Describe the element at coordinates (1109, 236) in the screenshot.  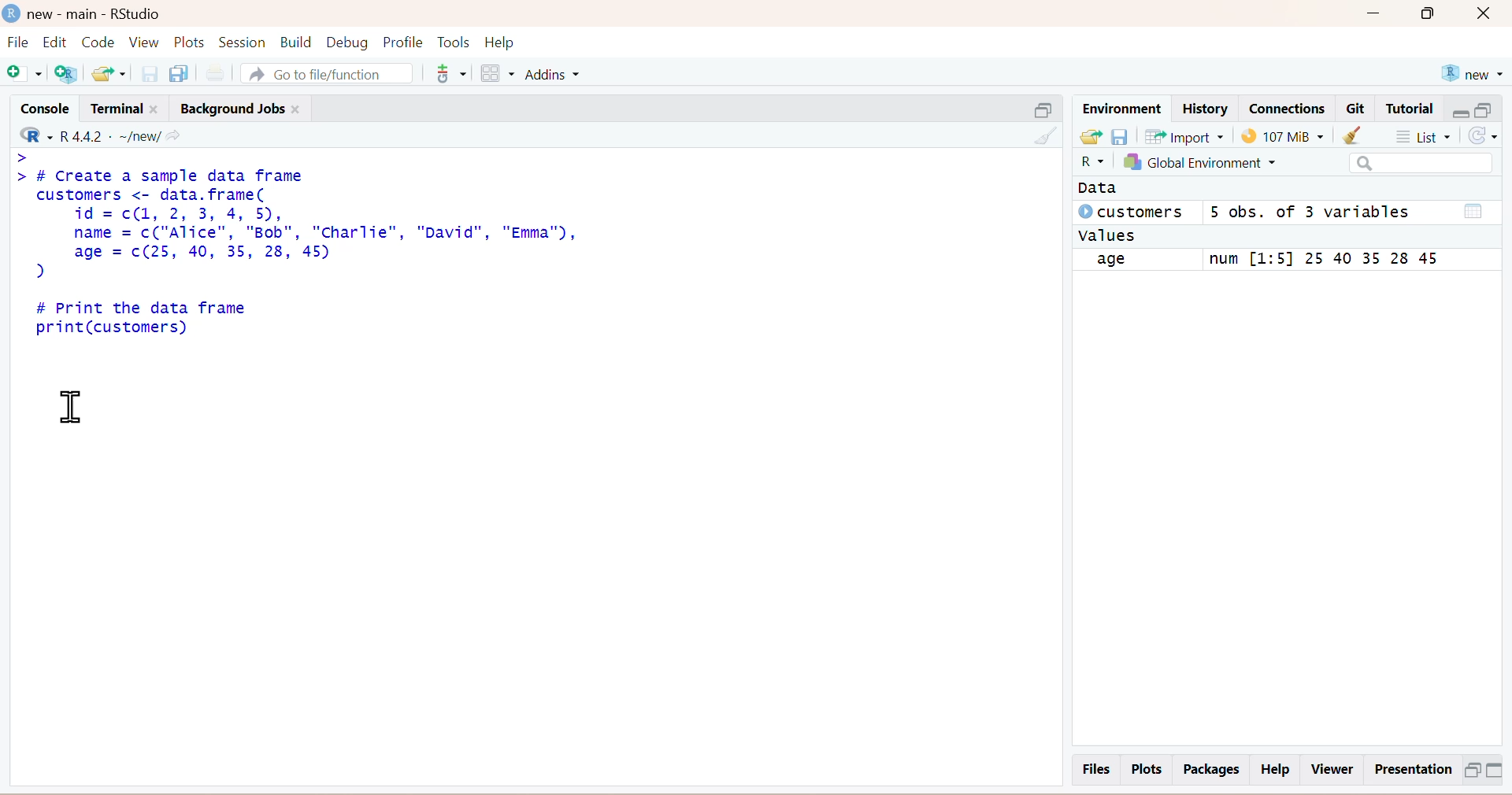
I see `values` at that location.